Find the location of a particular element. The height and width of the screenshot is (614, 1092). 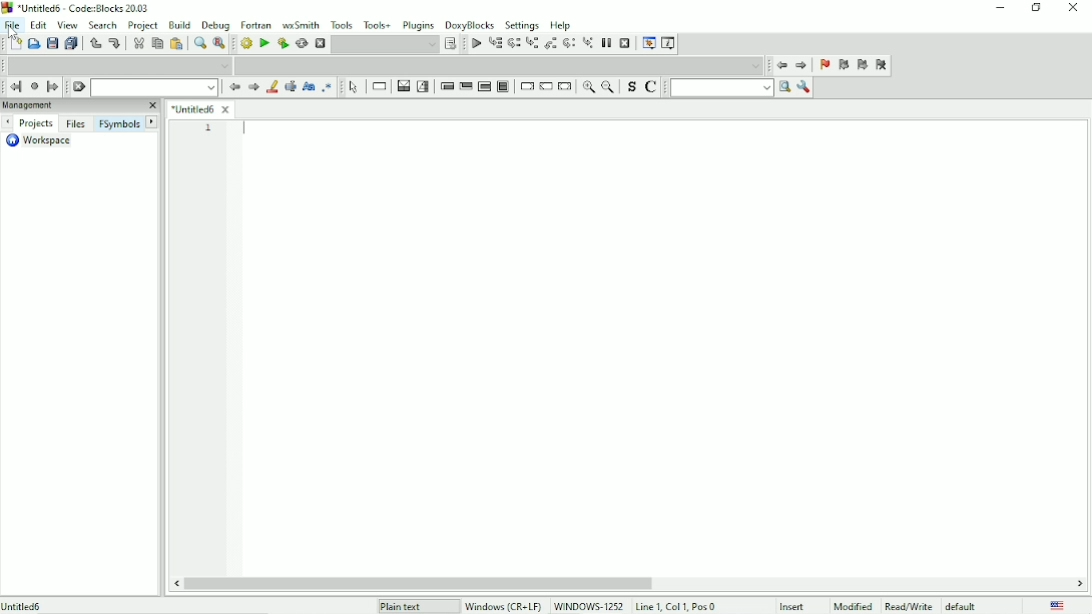

undo is located at coordinates (95, 43).